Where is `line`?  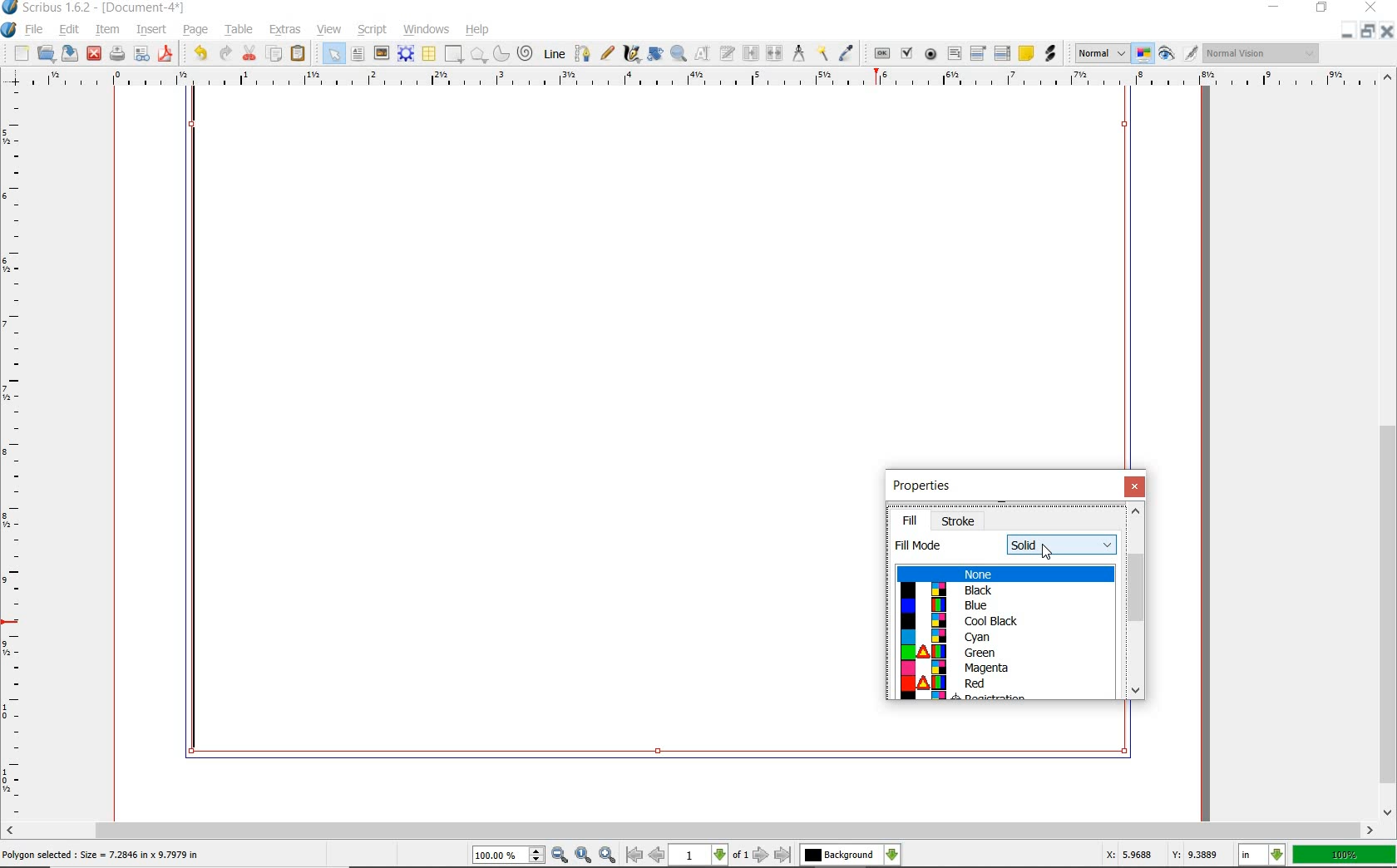 line is located at coordinates (554, 54).